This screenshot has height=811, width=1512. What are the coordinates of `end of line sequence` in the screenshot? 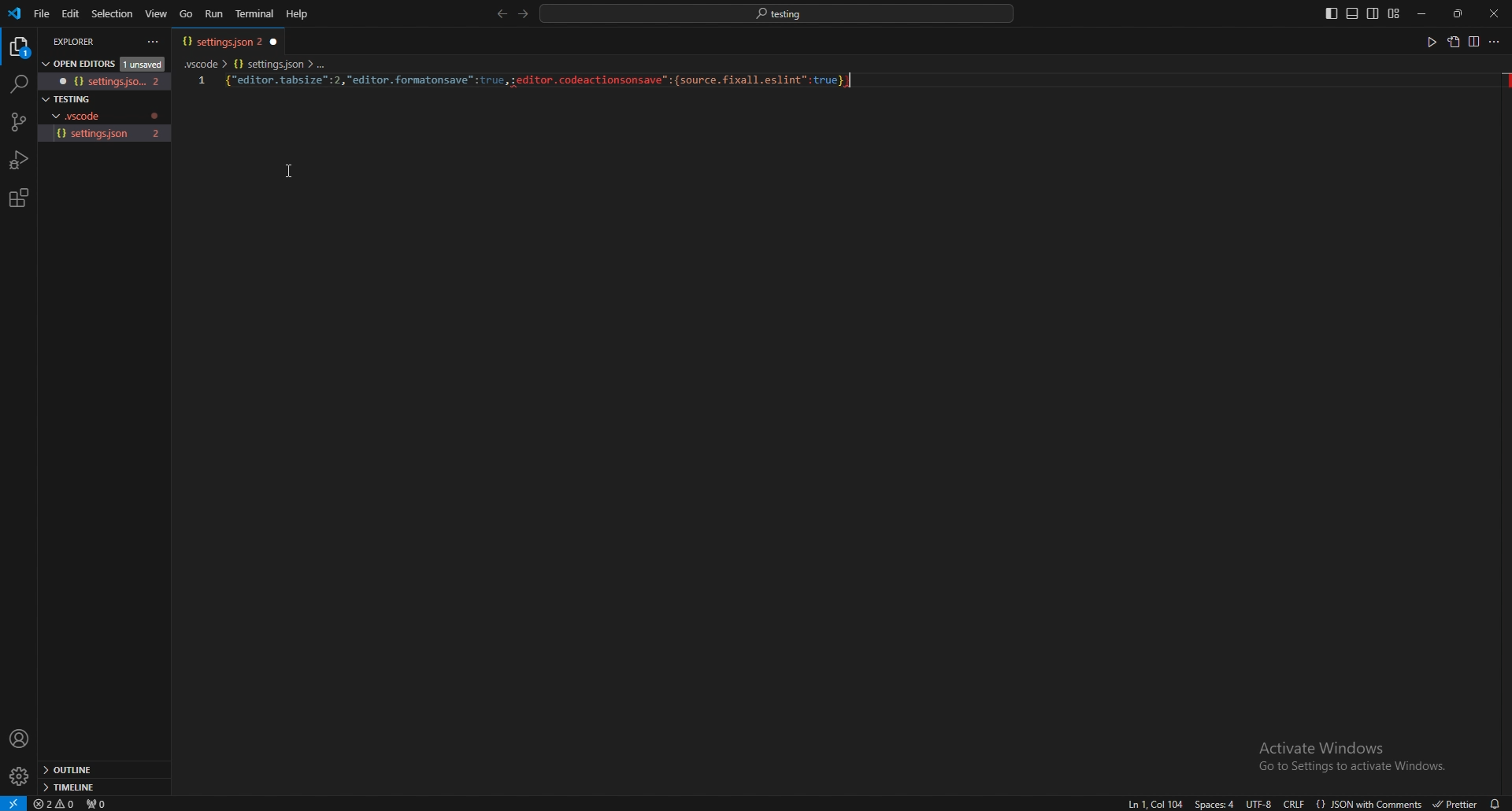 It's located at (1295, 802).